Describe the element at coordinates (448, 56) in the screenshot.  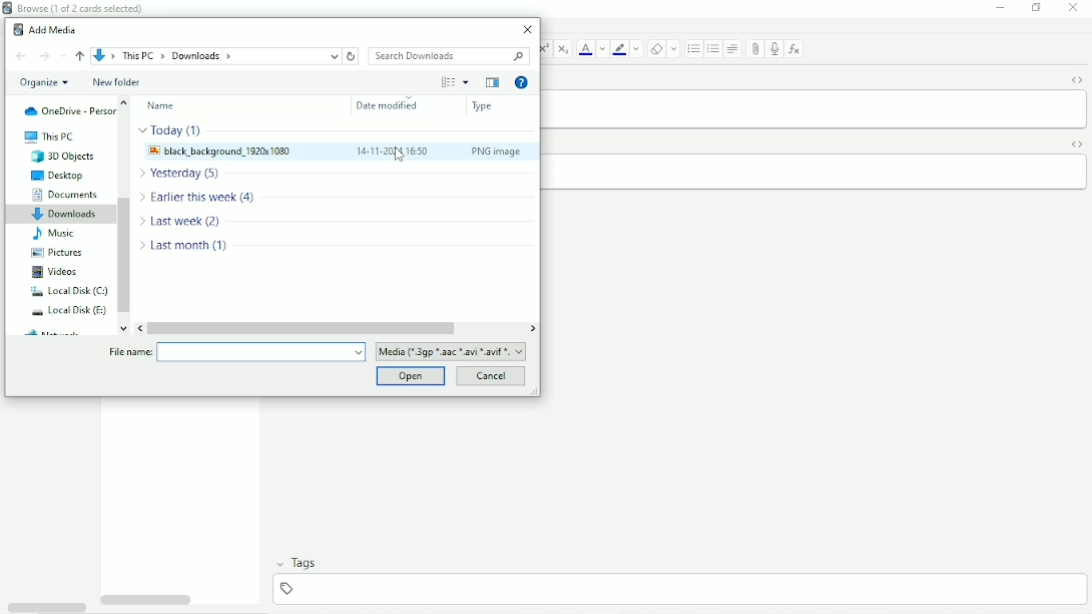
I see `Search Downloads` at that location.